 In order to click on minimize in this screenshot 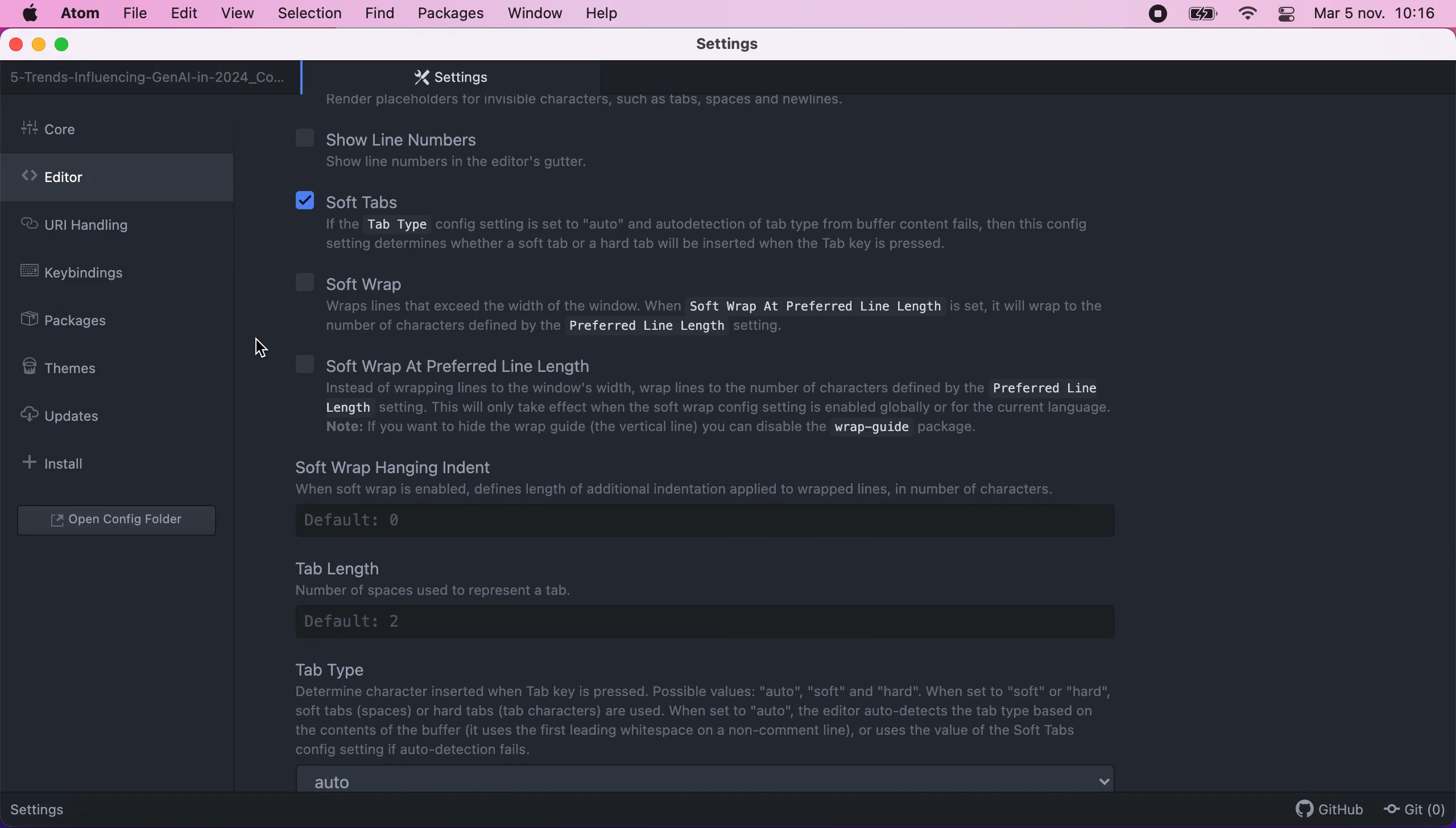, I will do `click(38, 46)`.